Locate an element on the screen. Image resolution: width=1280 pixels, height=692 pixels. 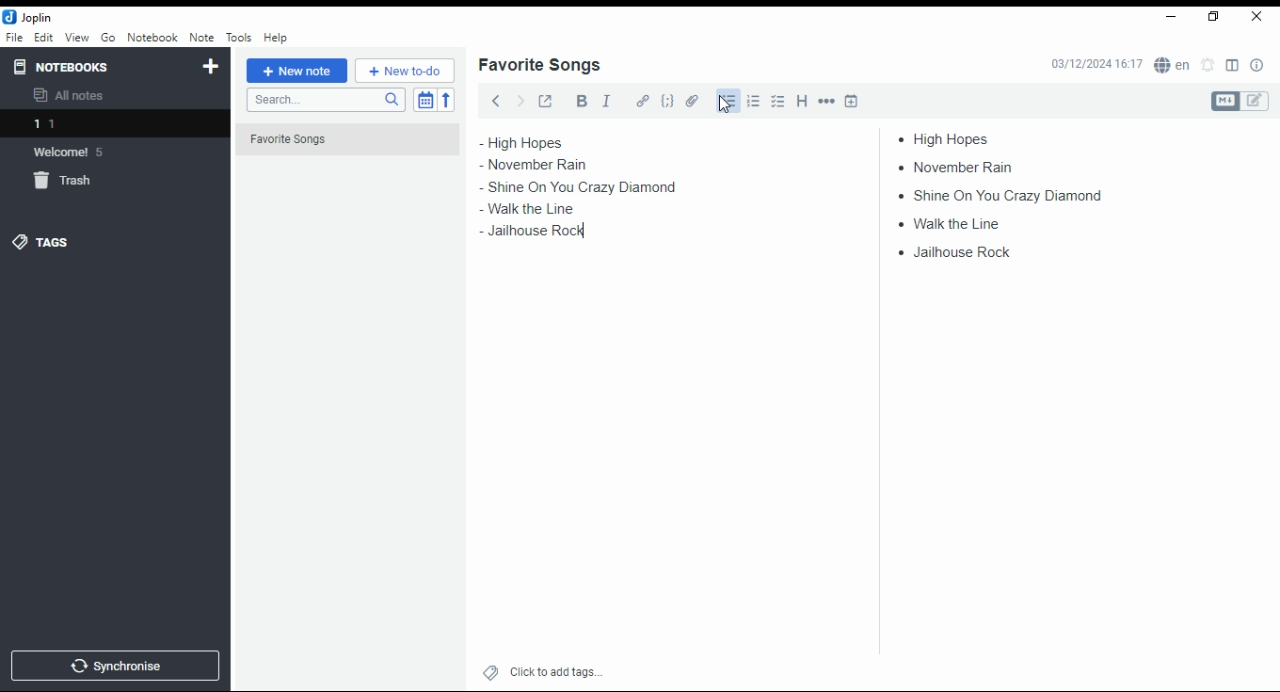
spell checker is located at coordinates (1174, 64).